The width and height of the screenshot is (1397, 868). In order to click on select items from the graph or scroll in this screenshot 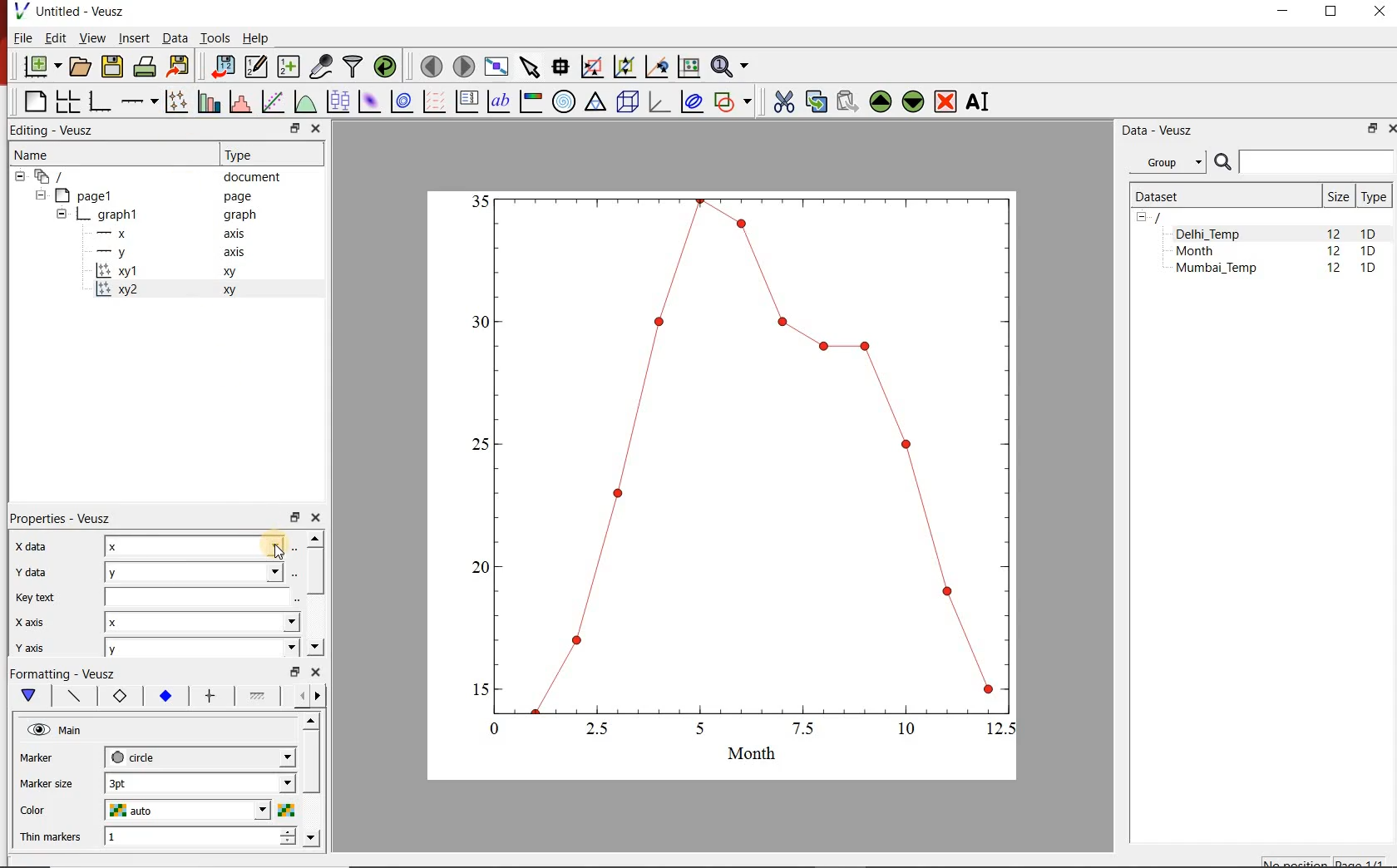, I will do `click(531, 67)`.